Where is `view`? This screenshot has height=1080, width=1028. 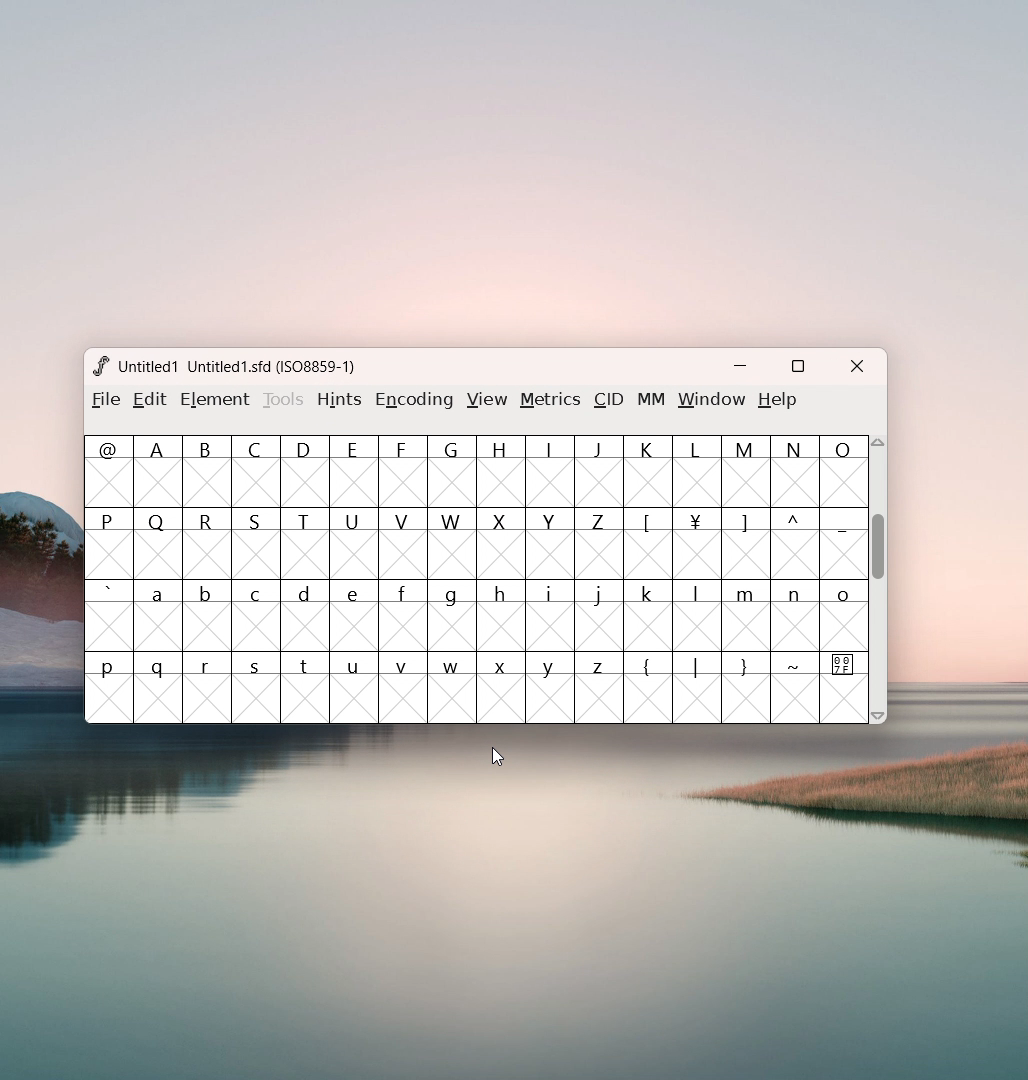 view is located at coordinates (487, 400).